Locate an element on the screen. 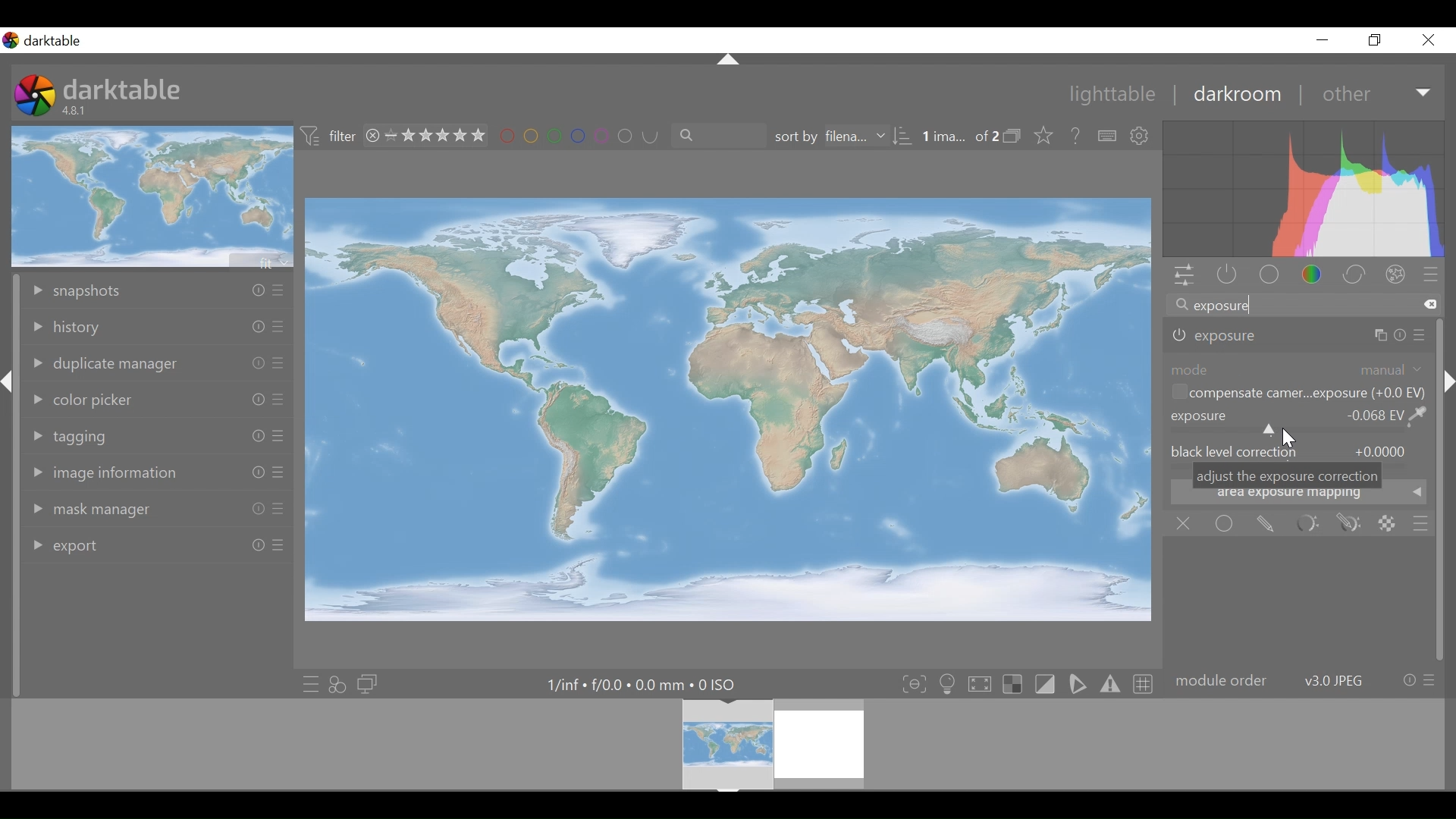  raster mas is located at coordinates (1389, 524).